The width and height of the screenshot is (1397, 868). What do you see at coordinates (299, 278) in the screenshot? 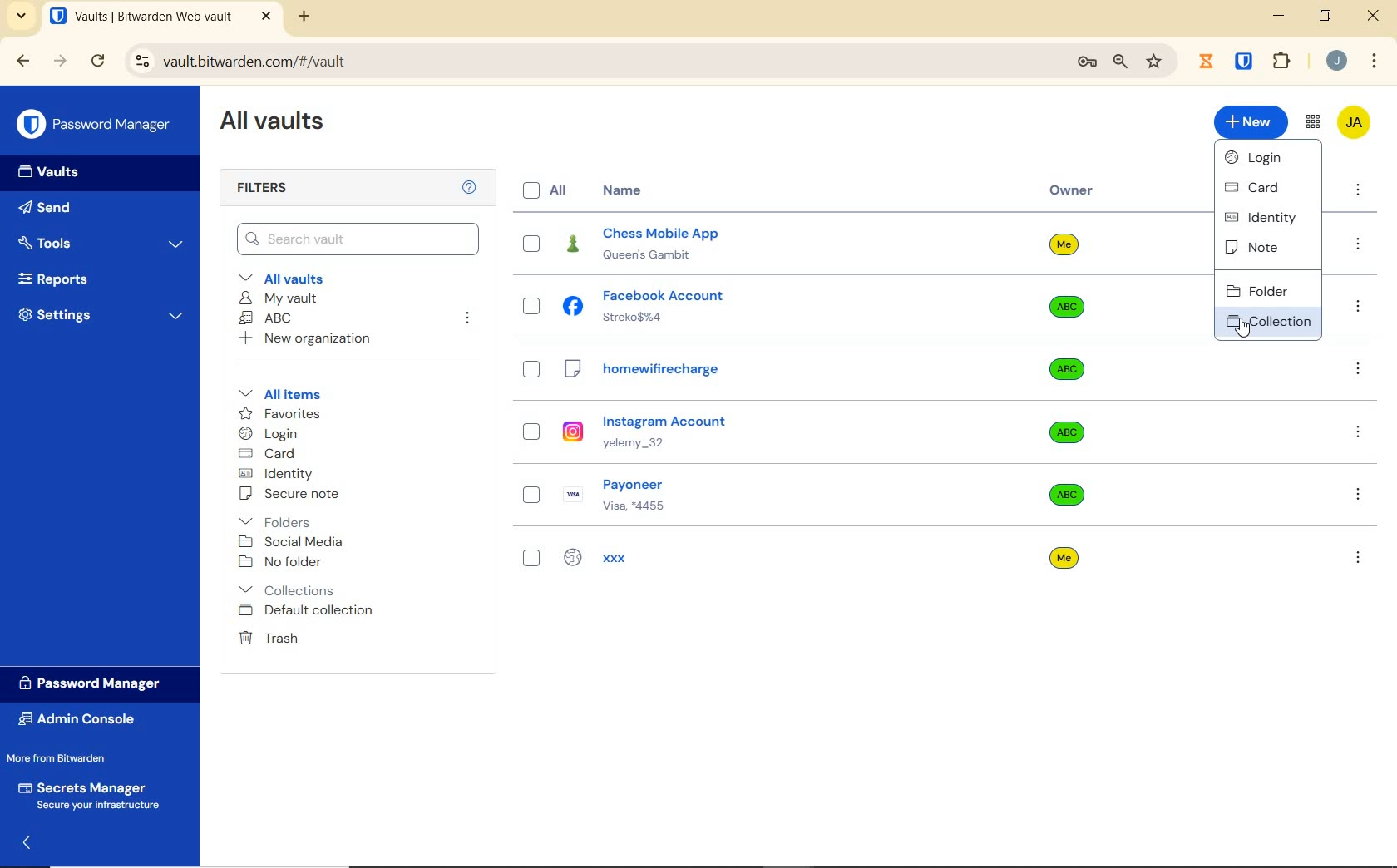
I see `All vaults` at bounding box center [299, 278].